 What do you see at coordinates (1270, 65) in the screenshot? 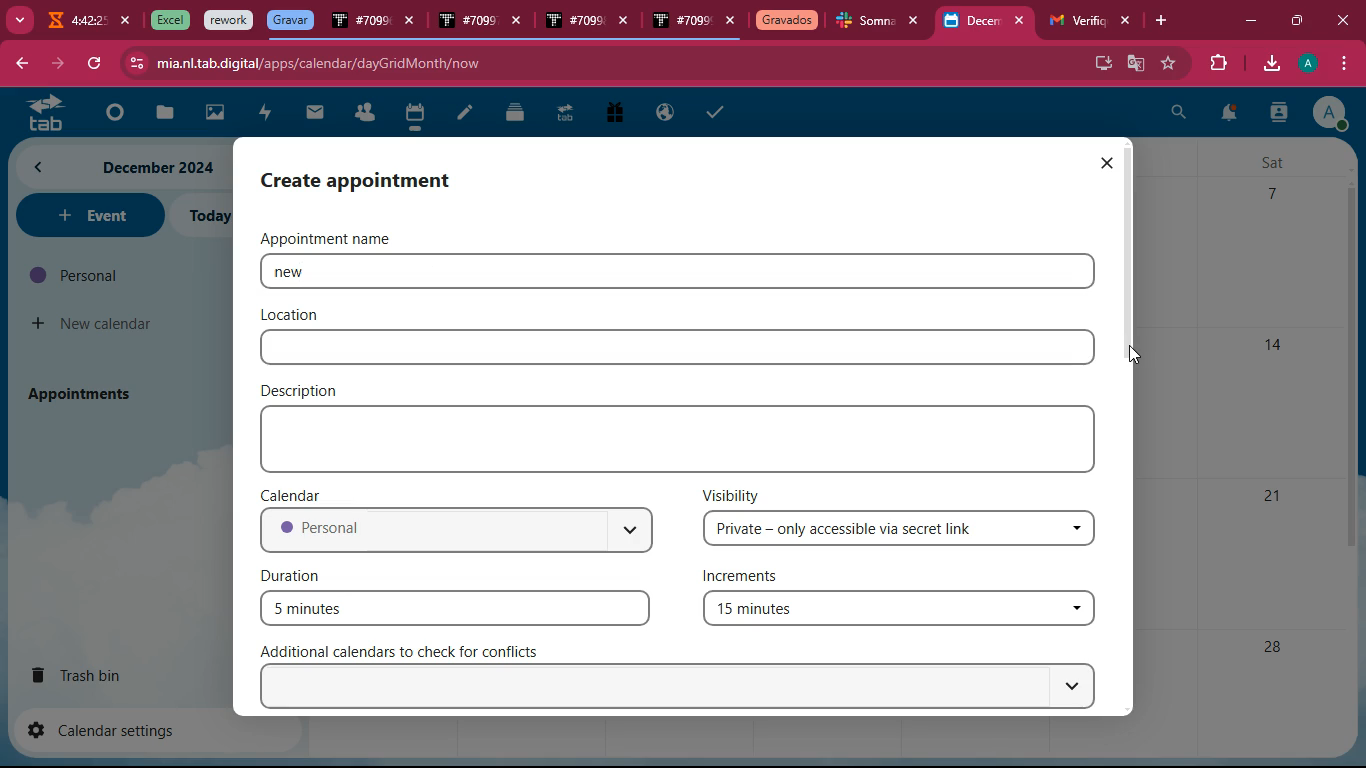
I see `download` at bounding box center [1270, 65].